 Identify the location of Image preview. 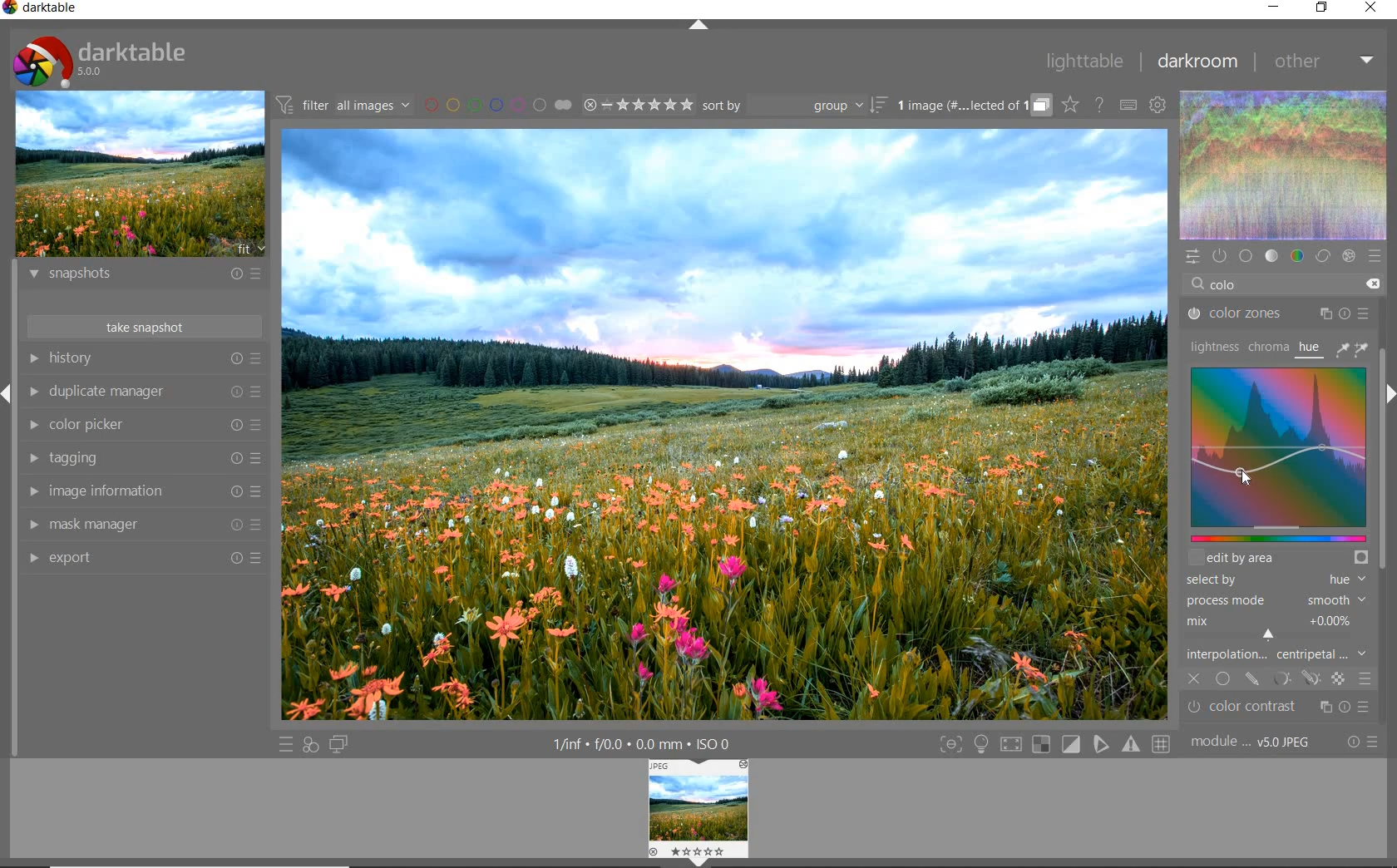
(699, 811).